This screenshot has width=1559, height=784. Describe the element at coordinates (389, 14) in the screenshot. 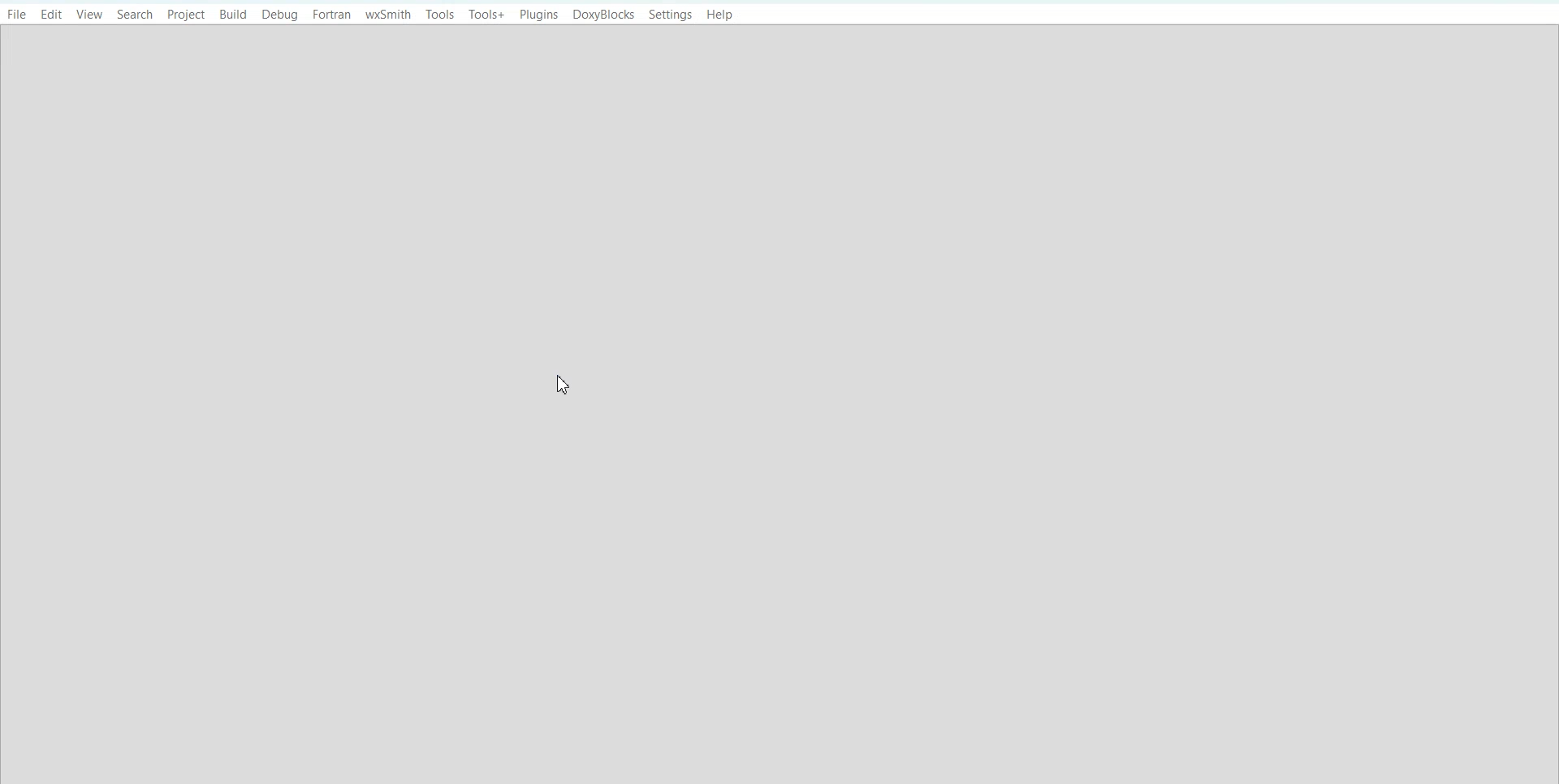

I see `wxSmith` at that location.